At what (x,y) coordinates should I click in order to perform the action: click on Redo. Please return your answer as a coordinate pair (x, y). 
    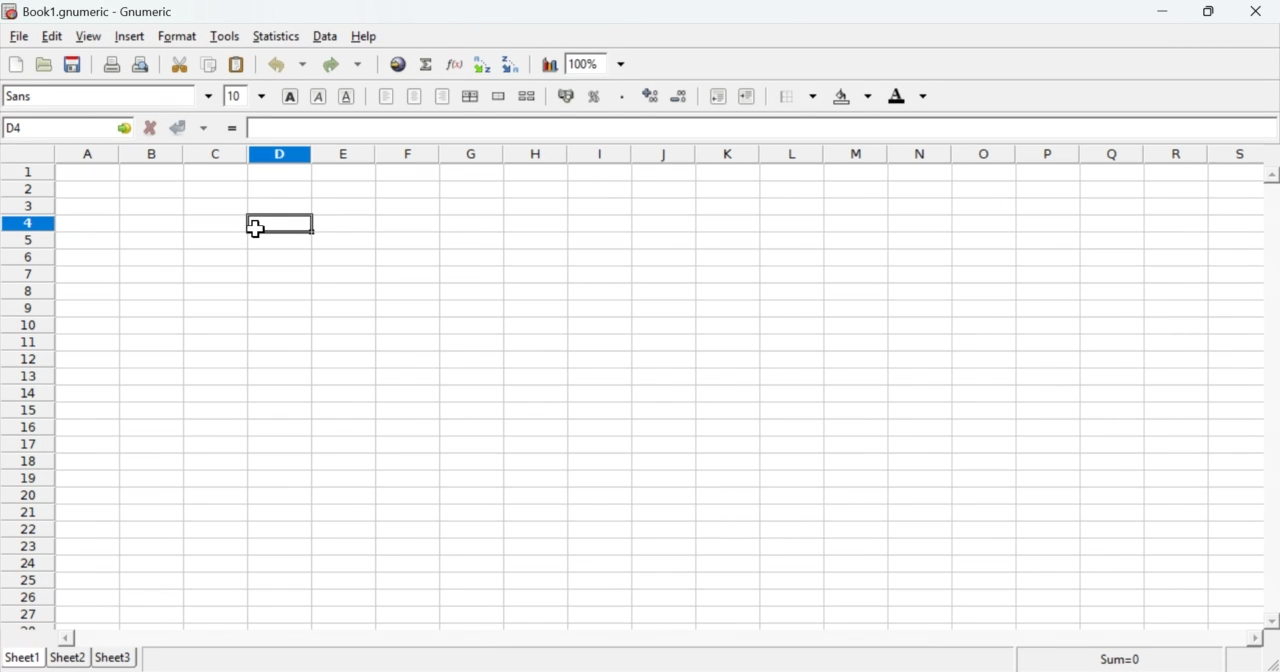
    Looking at the image, I should click on (346, 64).